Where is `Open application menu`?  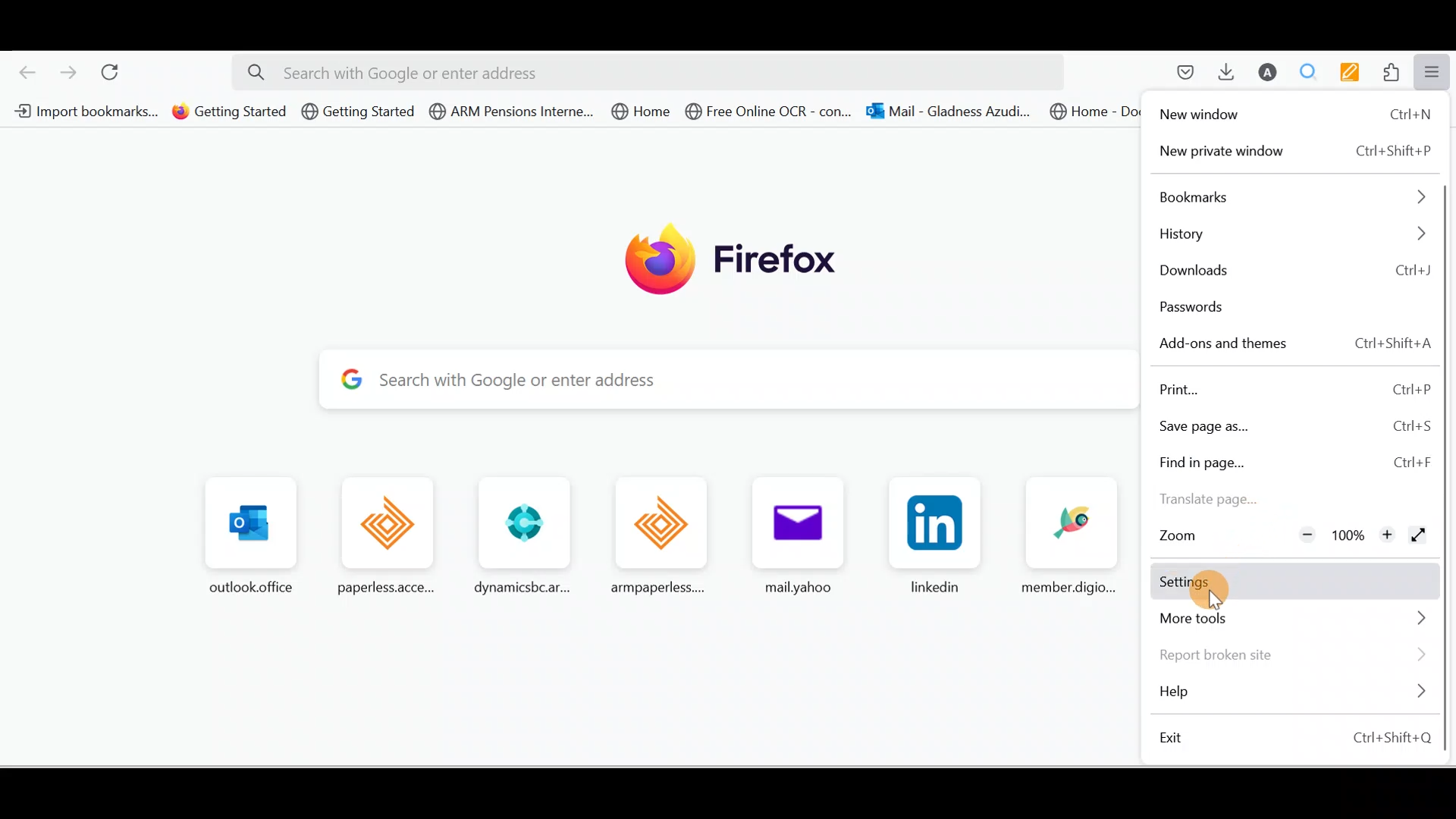
Open application menu is located at coordinates (1437, 71).